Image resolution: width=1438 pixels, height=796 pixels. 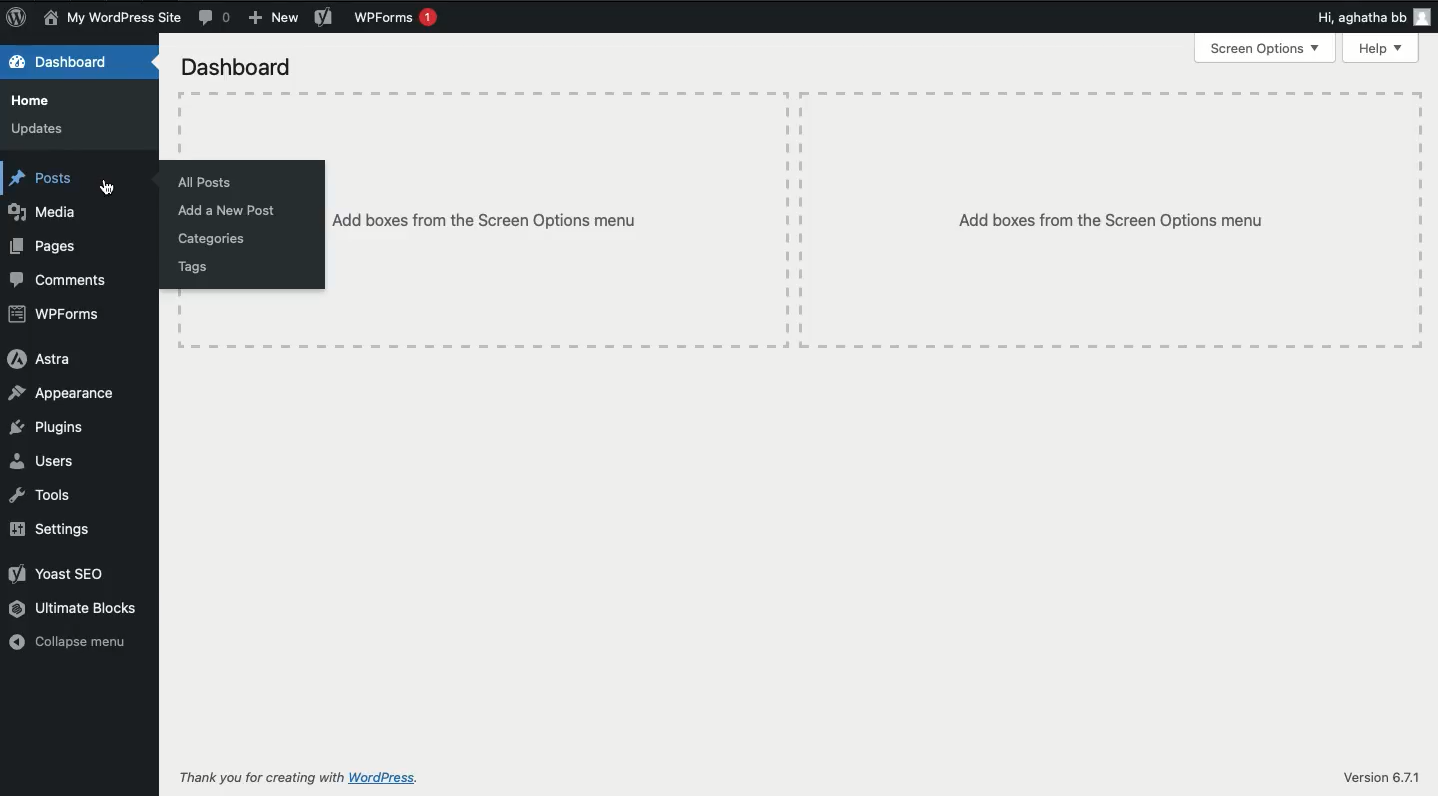 I want to click on Media, so click(x=43, y=214).